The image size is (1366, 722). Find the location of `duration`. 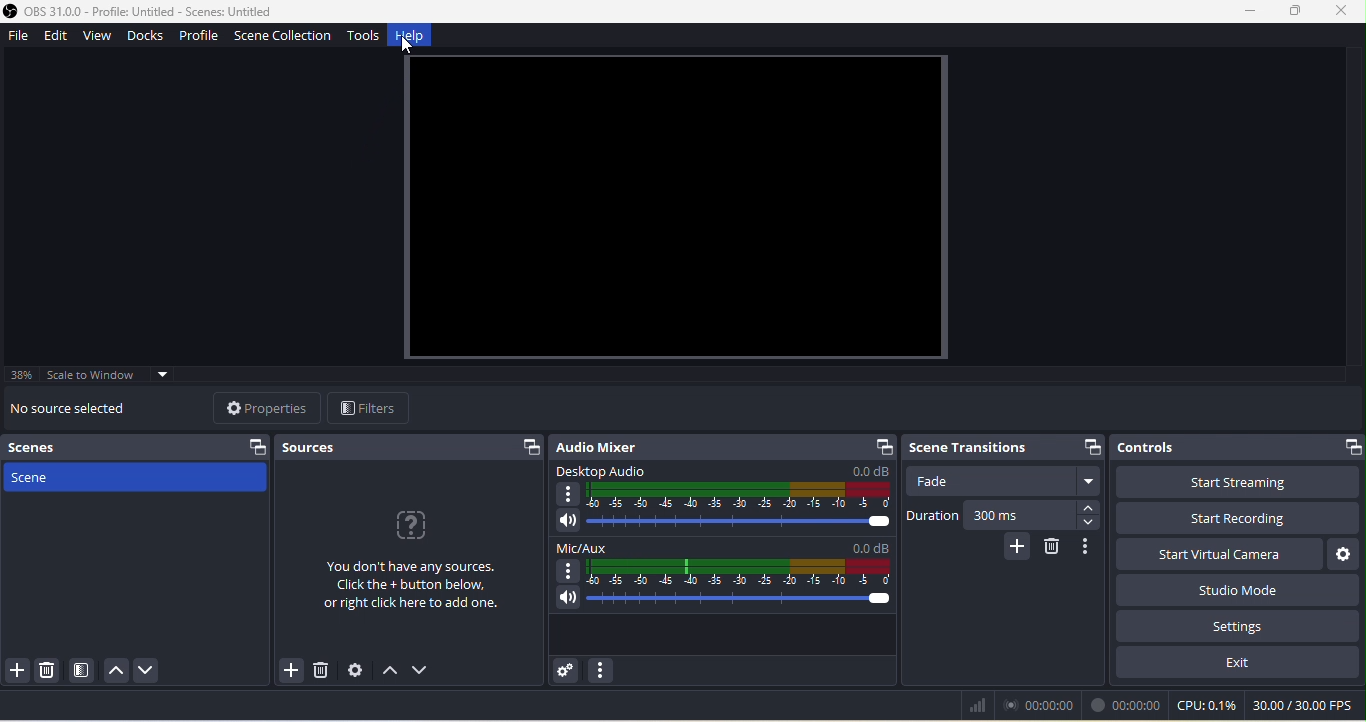

duration is located at coordinates (930, 518).